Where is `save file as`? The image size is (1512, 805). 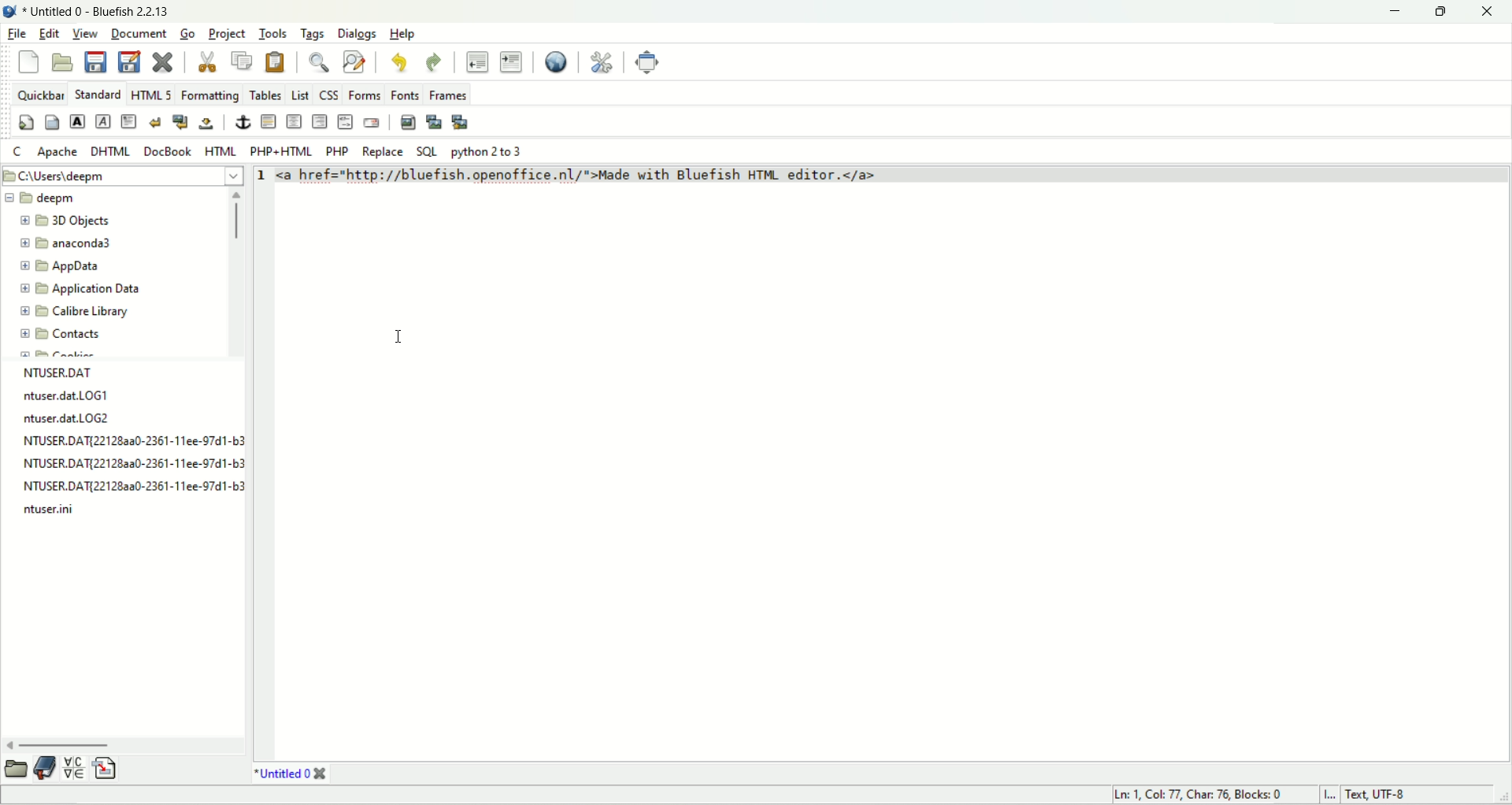
save file as is located at coordinates (132, 64).